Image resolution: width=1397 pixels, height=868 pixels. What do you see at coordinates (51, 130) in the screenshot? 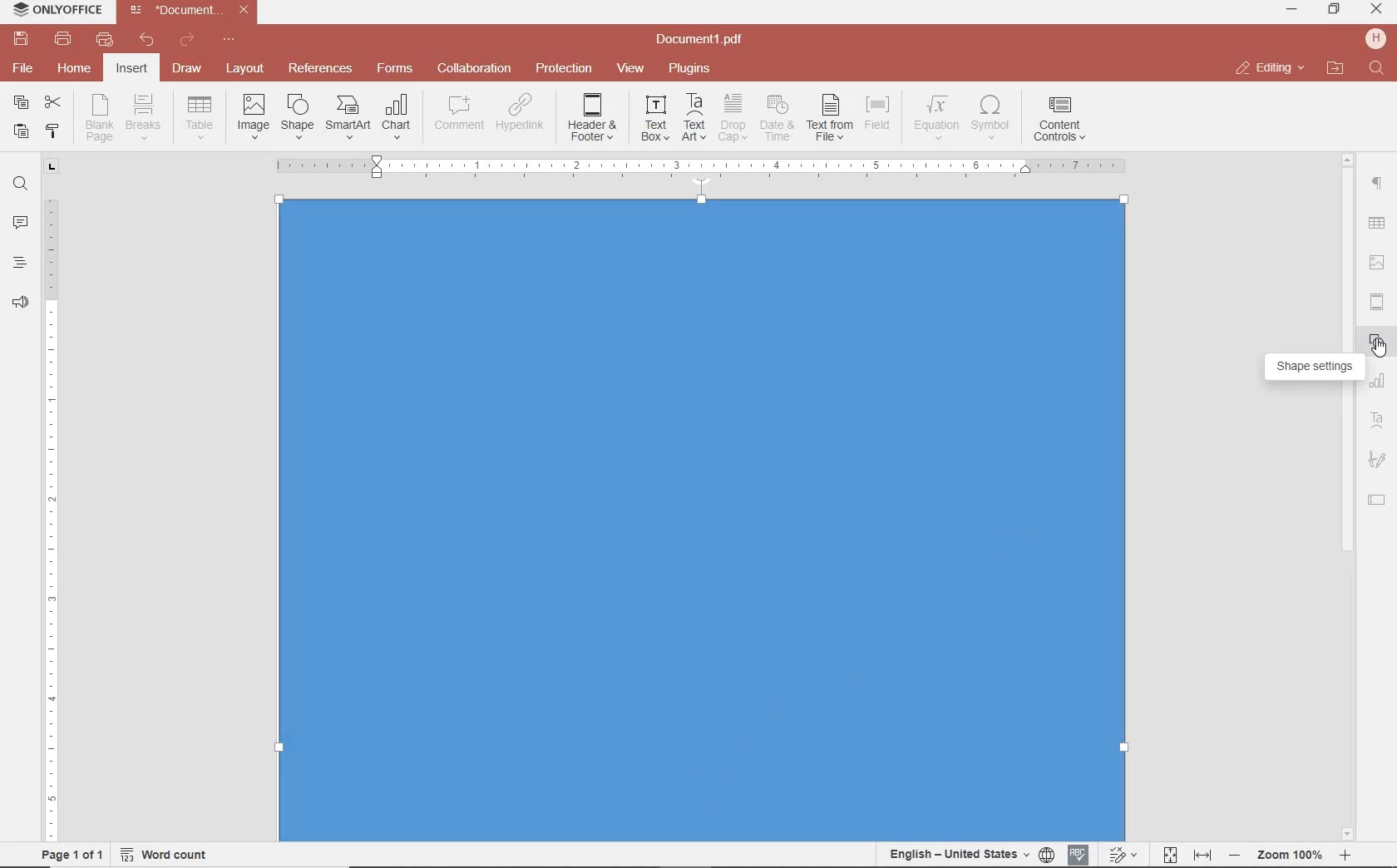
I see `copy style` at bounding box center [51, 130].